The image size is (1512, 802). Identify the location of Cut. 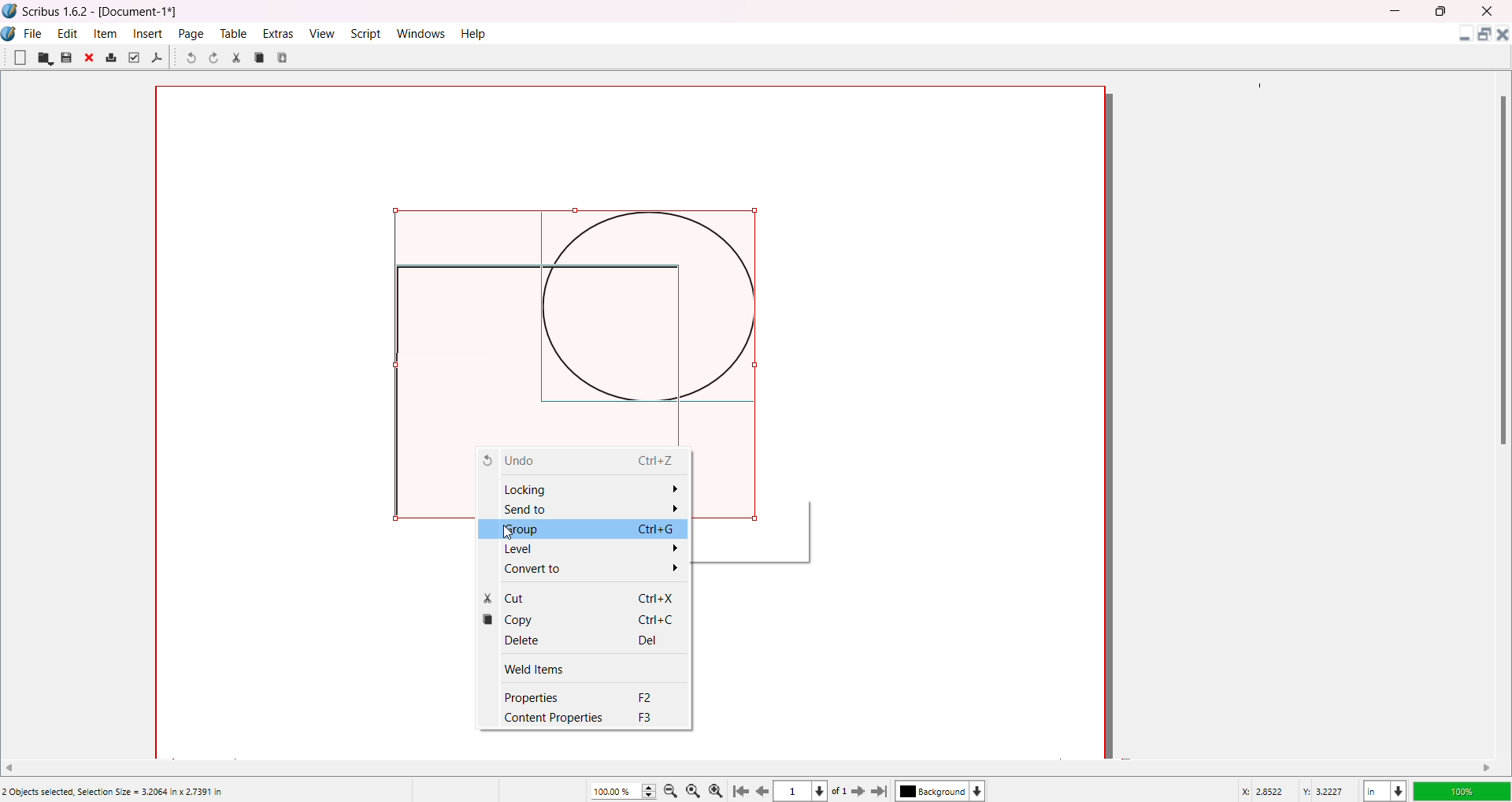
(582, 598).